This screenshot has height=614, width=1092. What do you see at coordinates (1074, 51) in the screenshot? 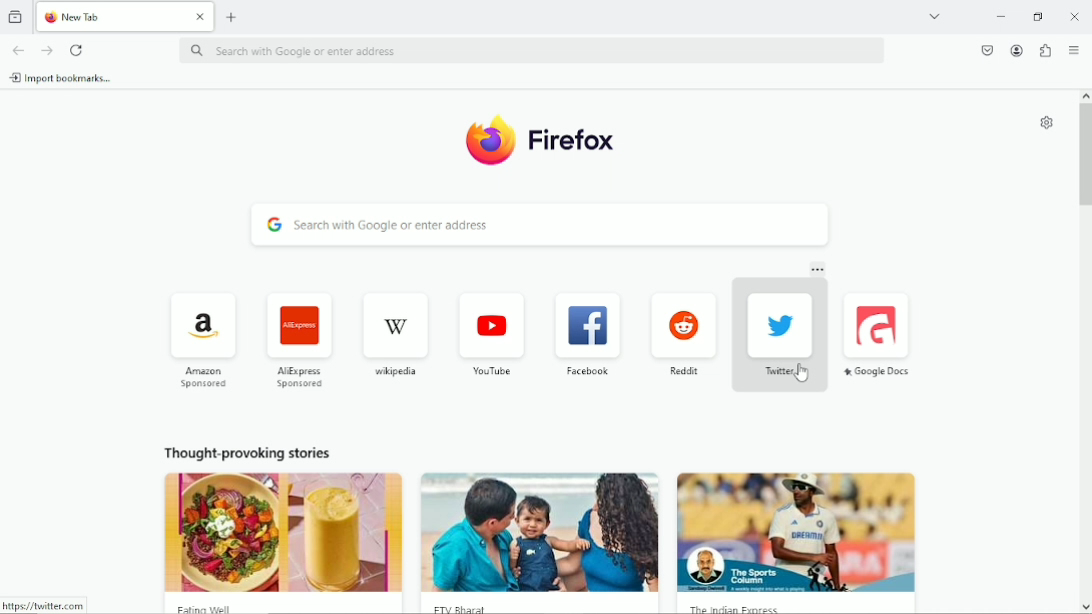
I see `open application menu` at bounding box center [1074, 51].